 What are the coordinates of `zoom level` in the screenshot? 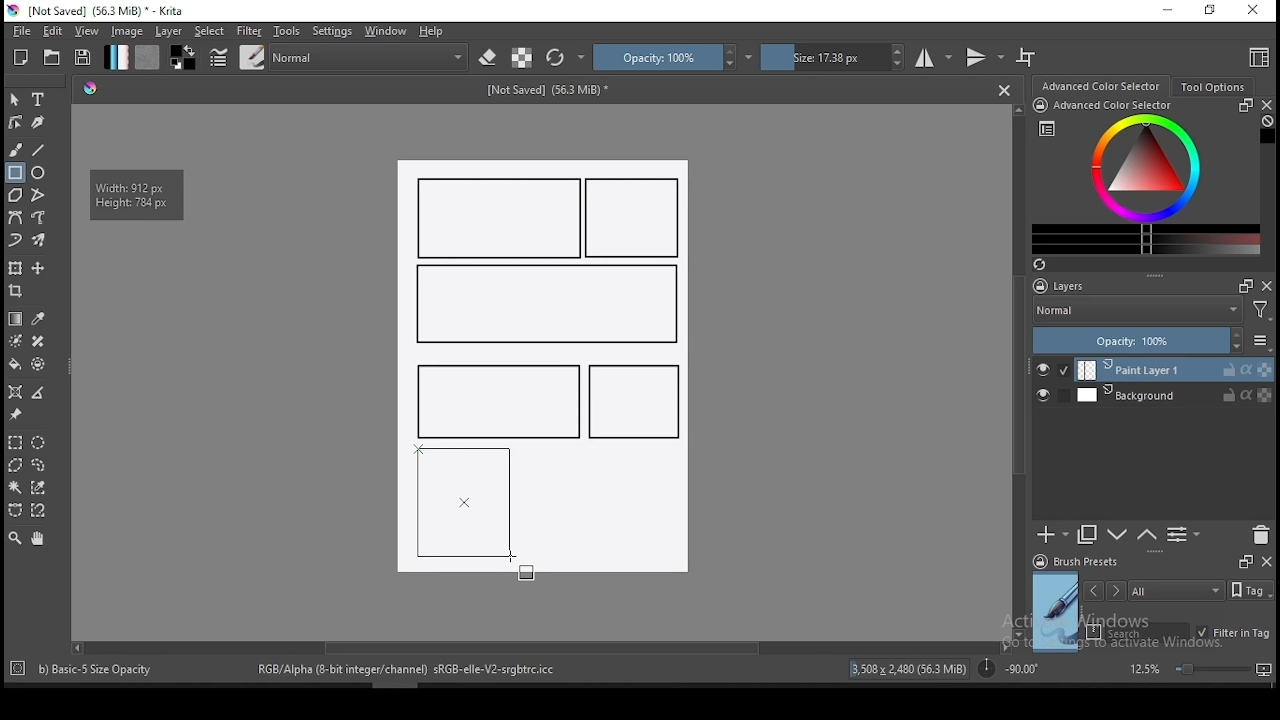 It's located at (1200, 668).